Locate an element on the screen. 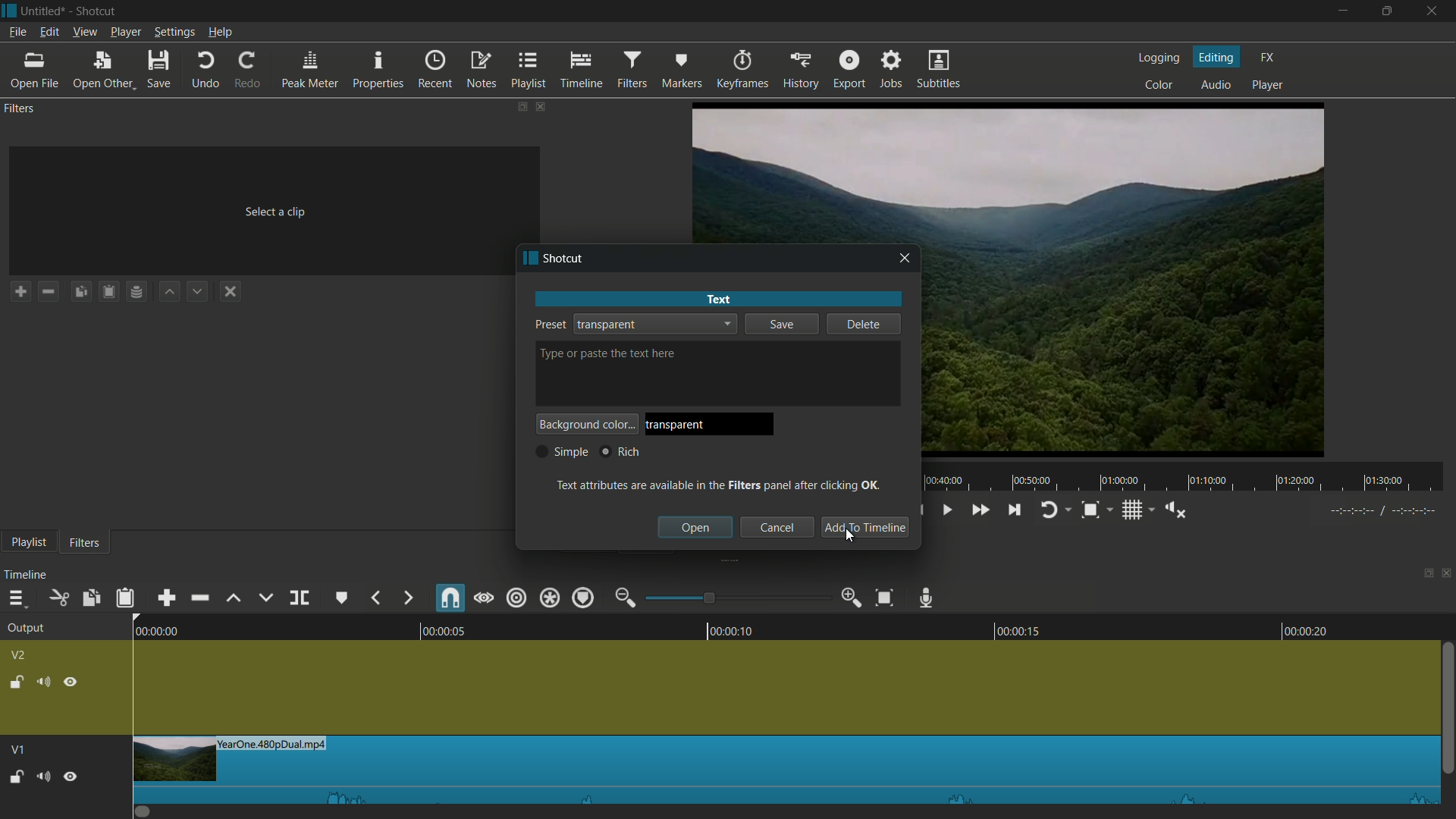  zoom in is located at coordinates (852, 598).